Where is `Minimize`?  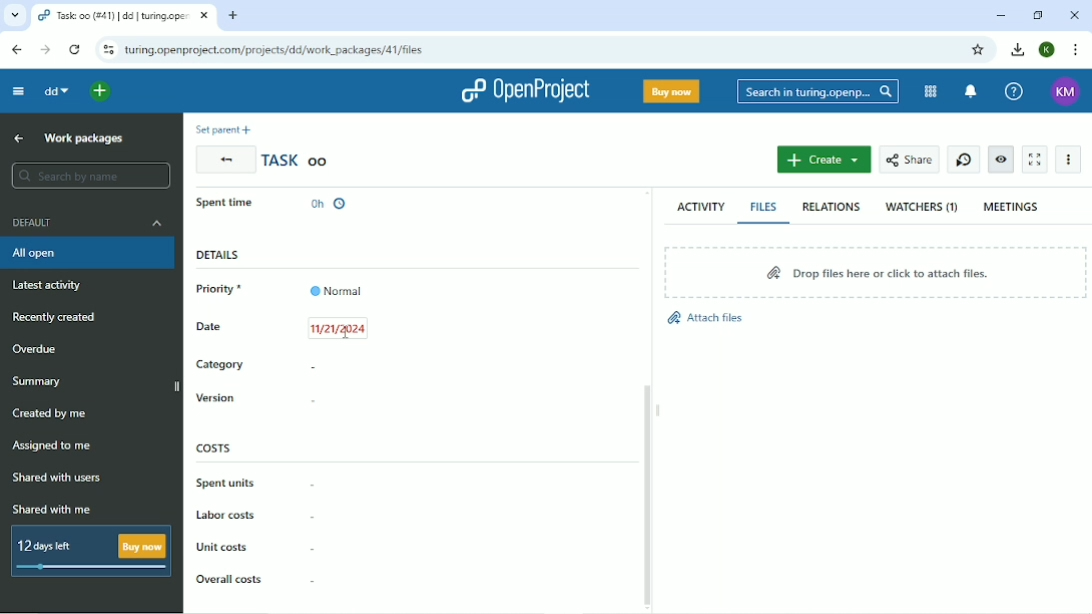
Minimize is located at coordinates (1003, 15).